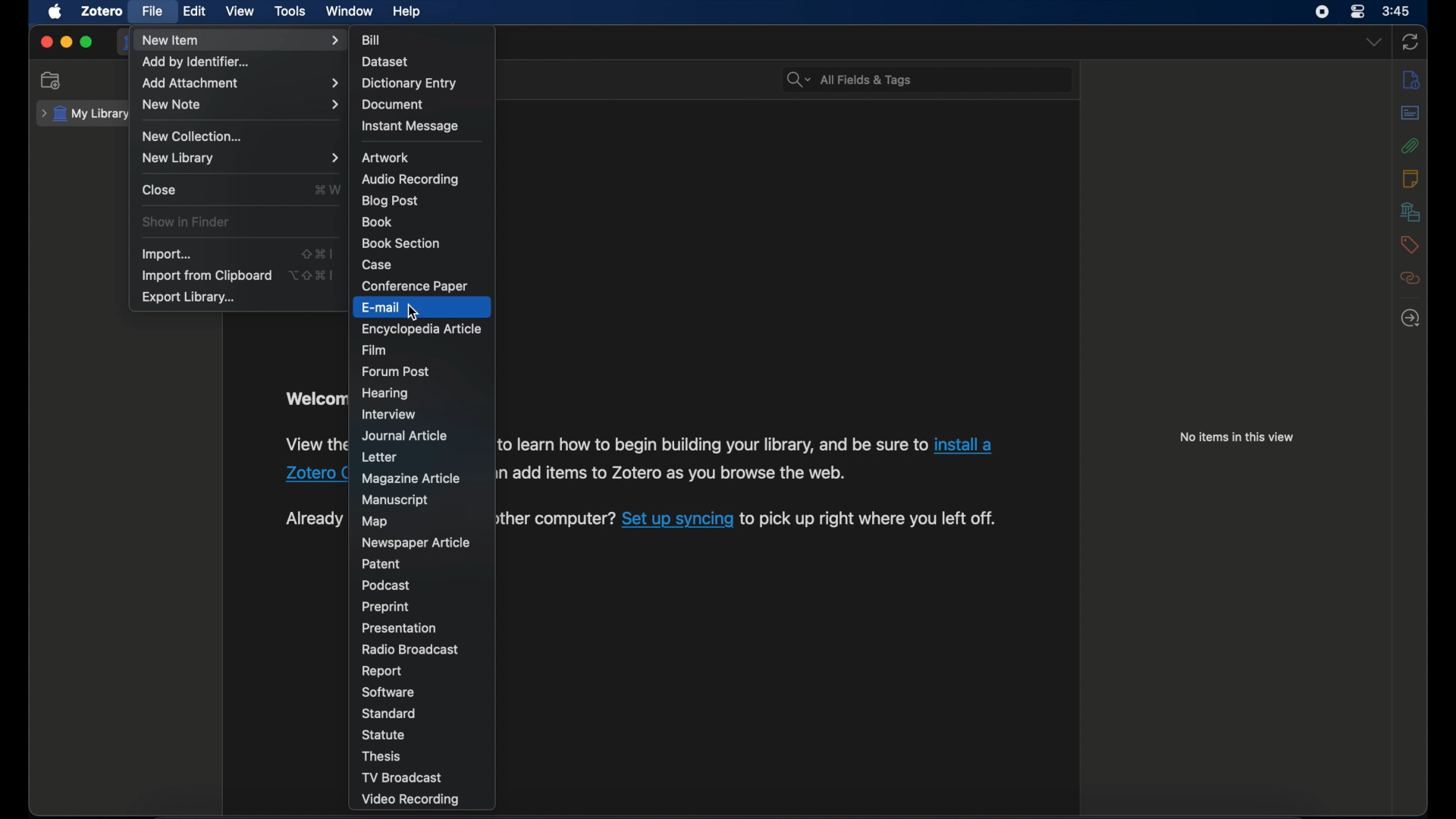 The height and width of the screenshot is (819, 1456). I want to click on case, so click(379, 265).